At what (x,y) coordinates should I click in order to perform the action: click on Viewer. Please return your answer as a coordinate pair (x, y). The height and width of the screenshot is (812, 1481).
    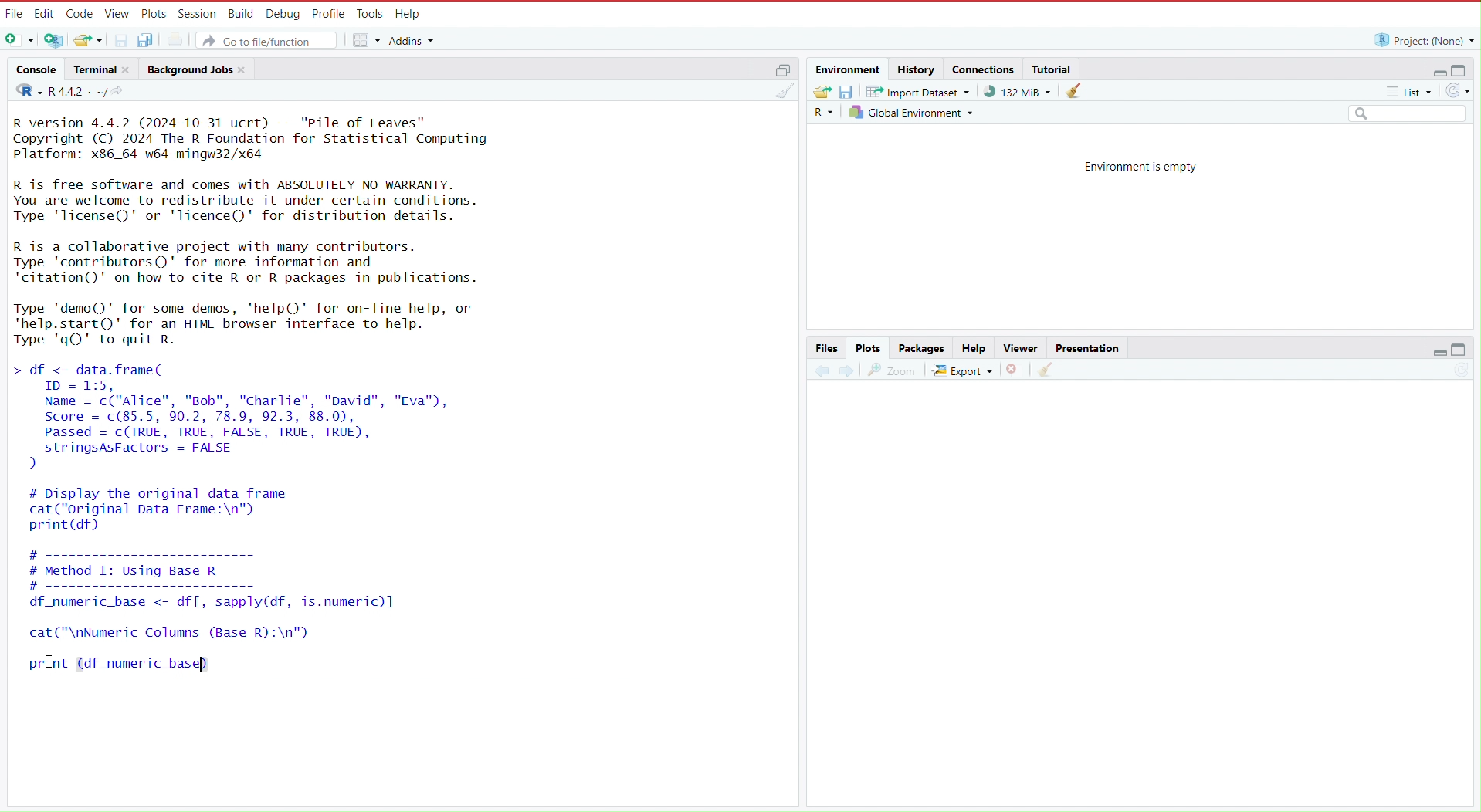
    Looking at the image, I should click on (1018, 347).